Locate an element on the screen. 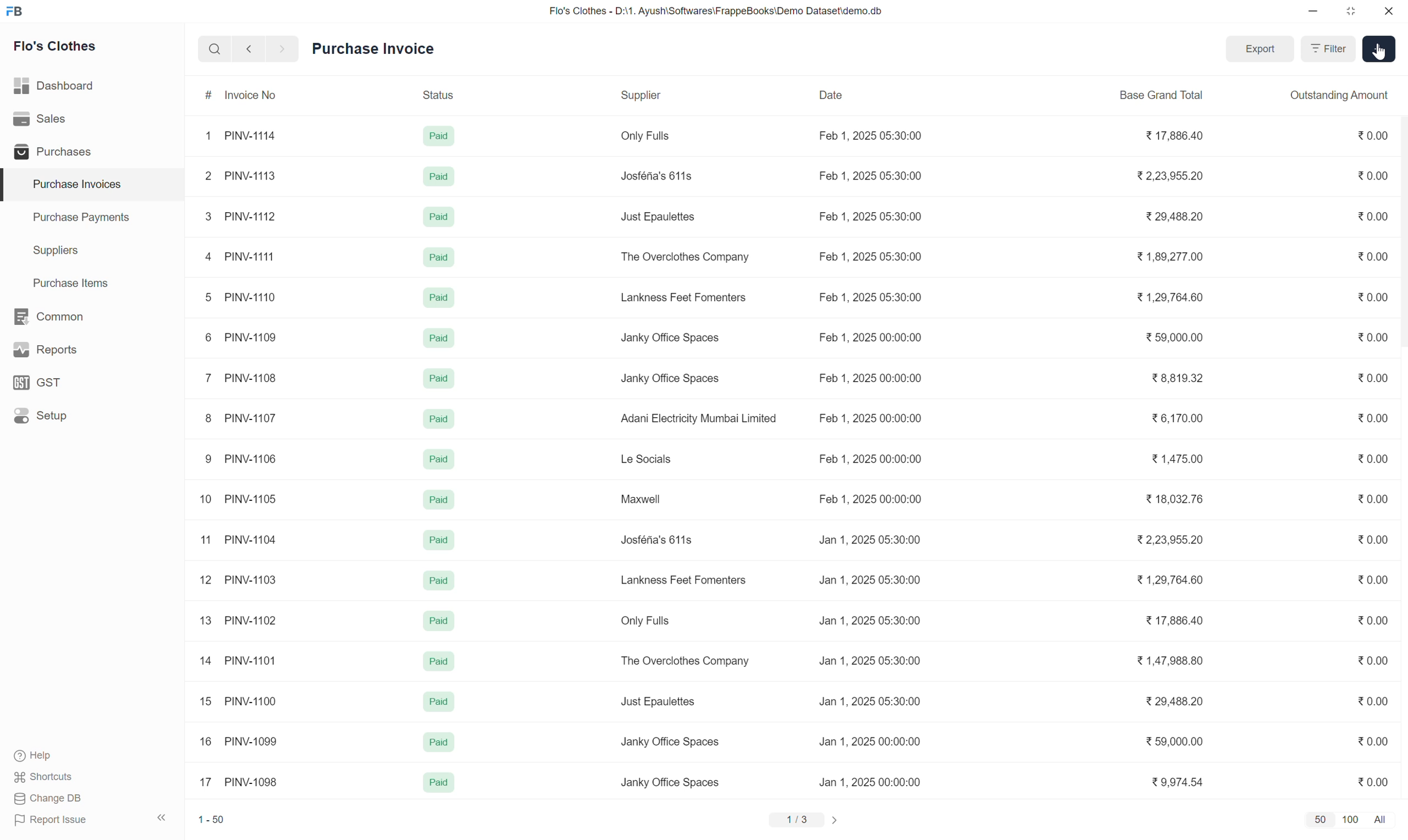 This screenshot has height=840, width=1408. Paid is located at coordinates (440, 701).